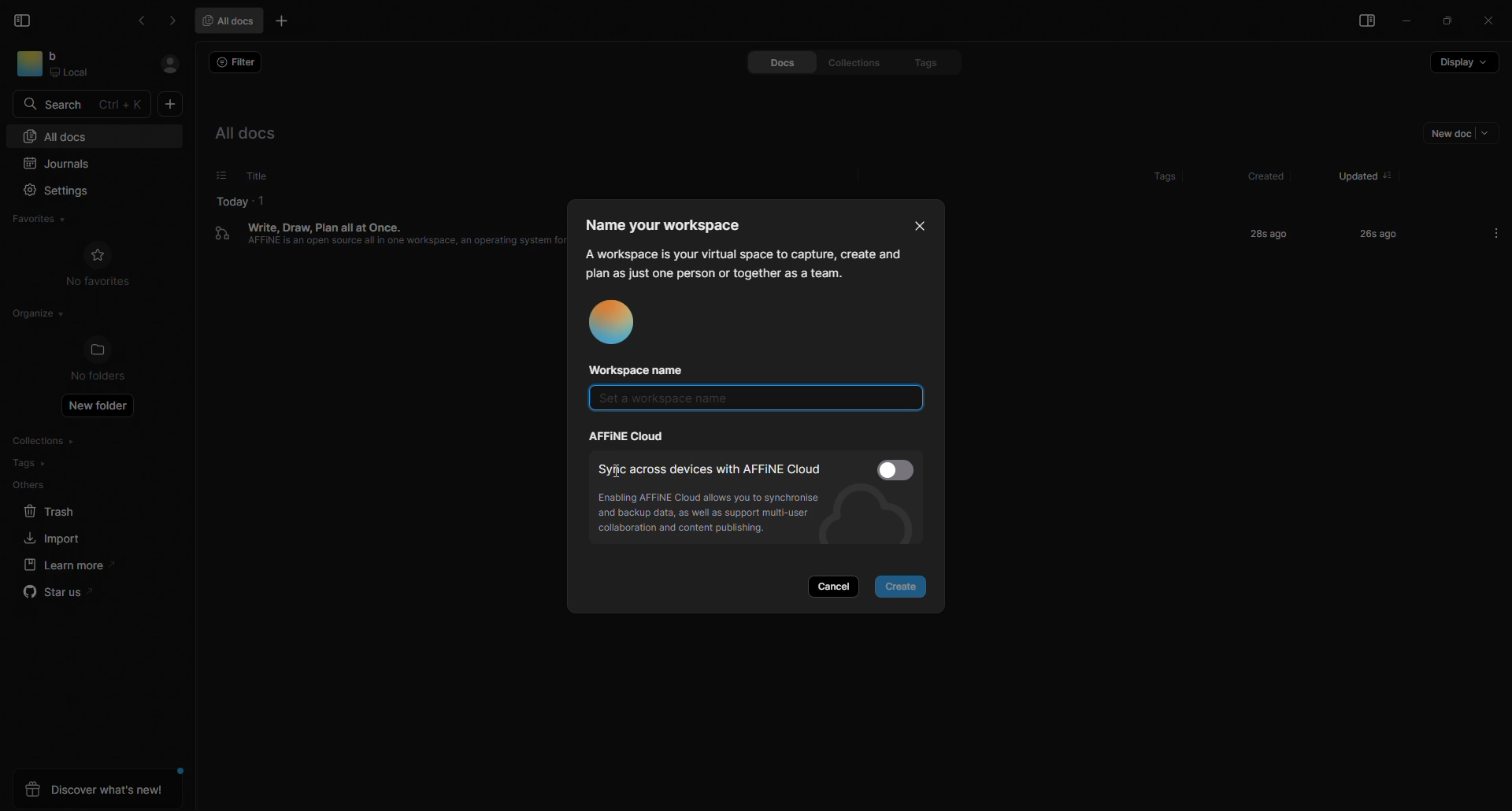  What do you see at coordinates (768, 63) in the screenshot?
I see `docs` at bounding box center [768, 63].